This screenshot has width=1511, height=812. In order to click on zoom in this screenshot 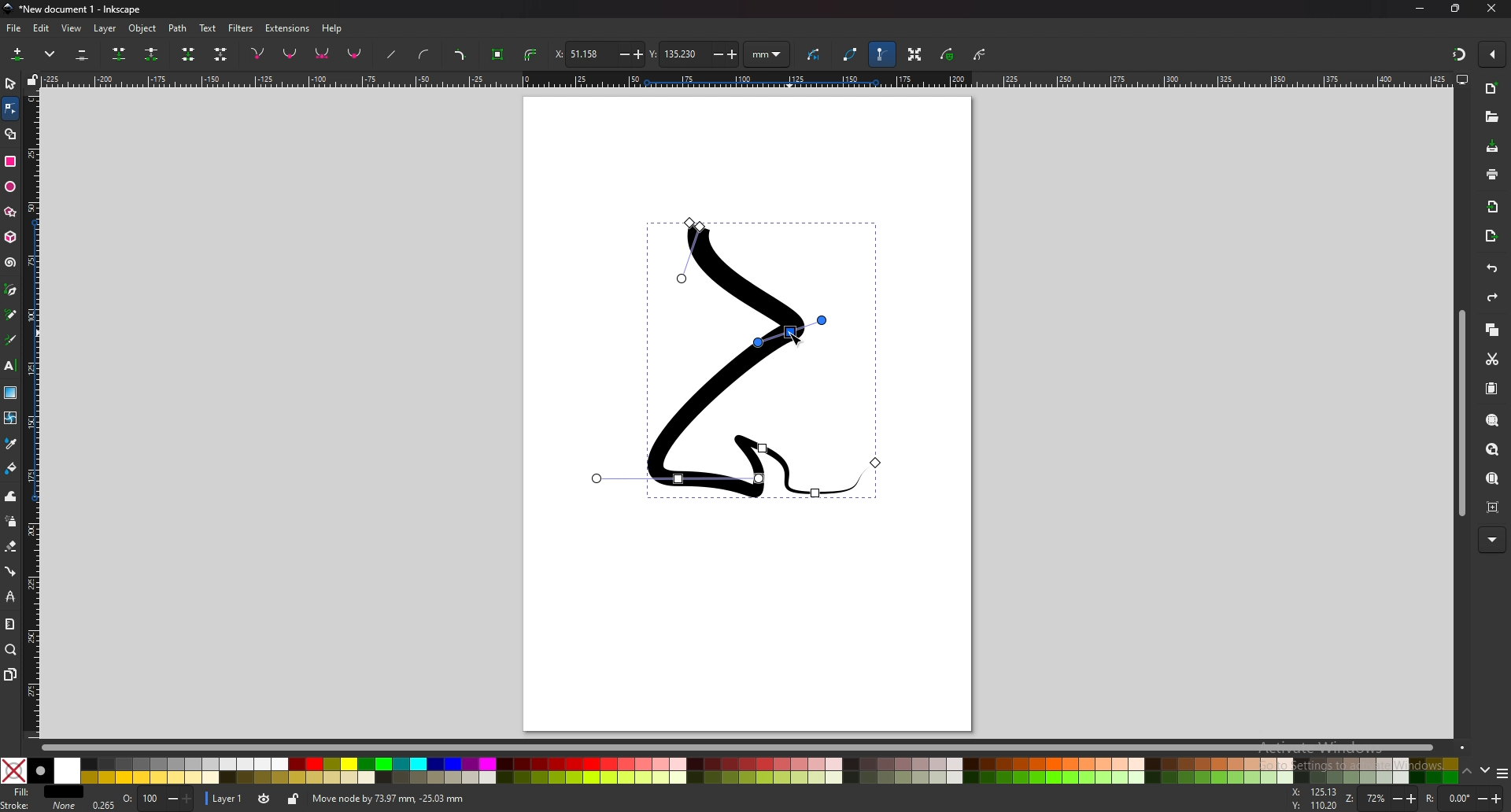, I will do `click(1391, 800)`.